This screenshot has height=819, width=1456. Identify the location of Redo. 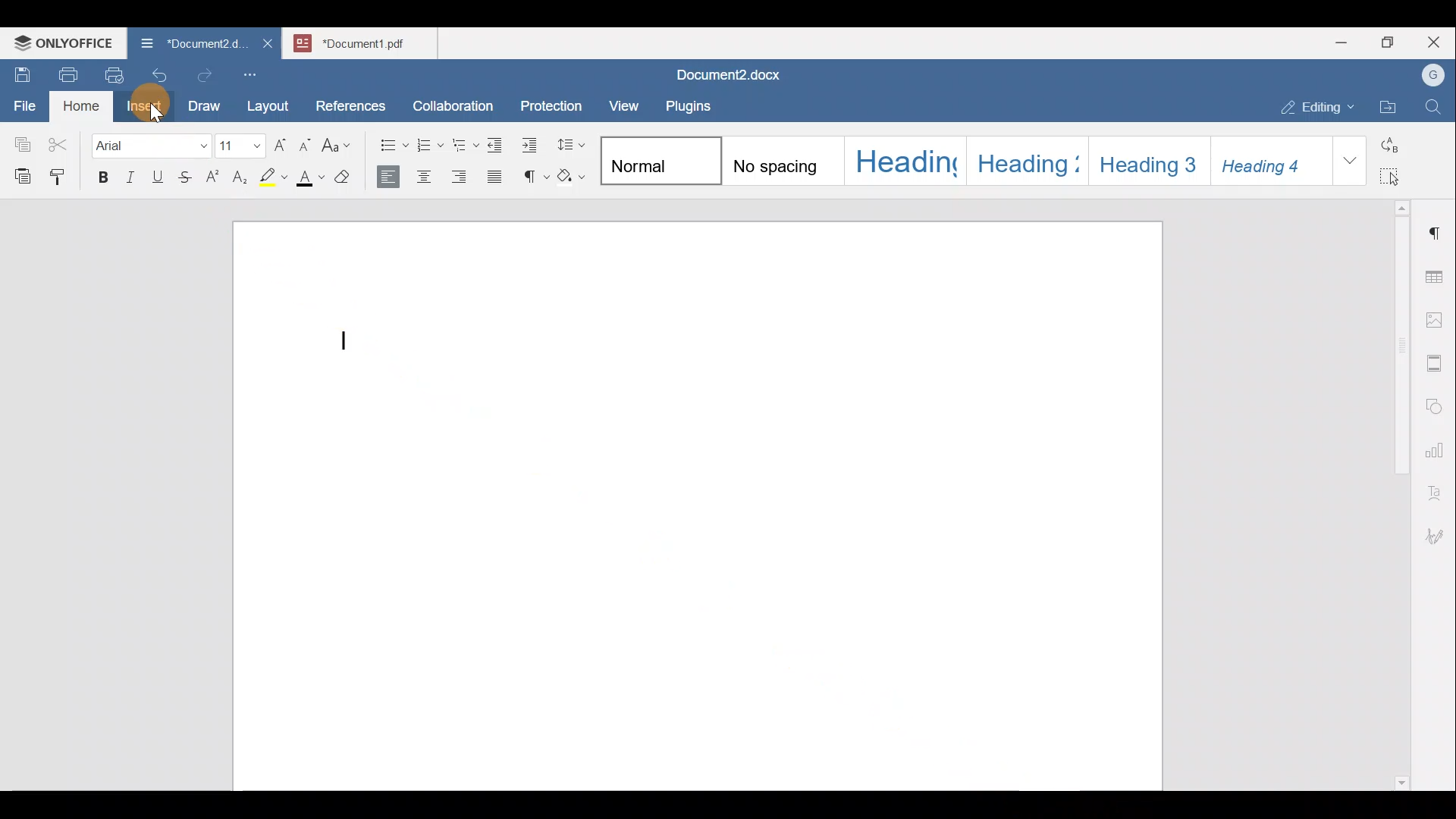
(204, 76).